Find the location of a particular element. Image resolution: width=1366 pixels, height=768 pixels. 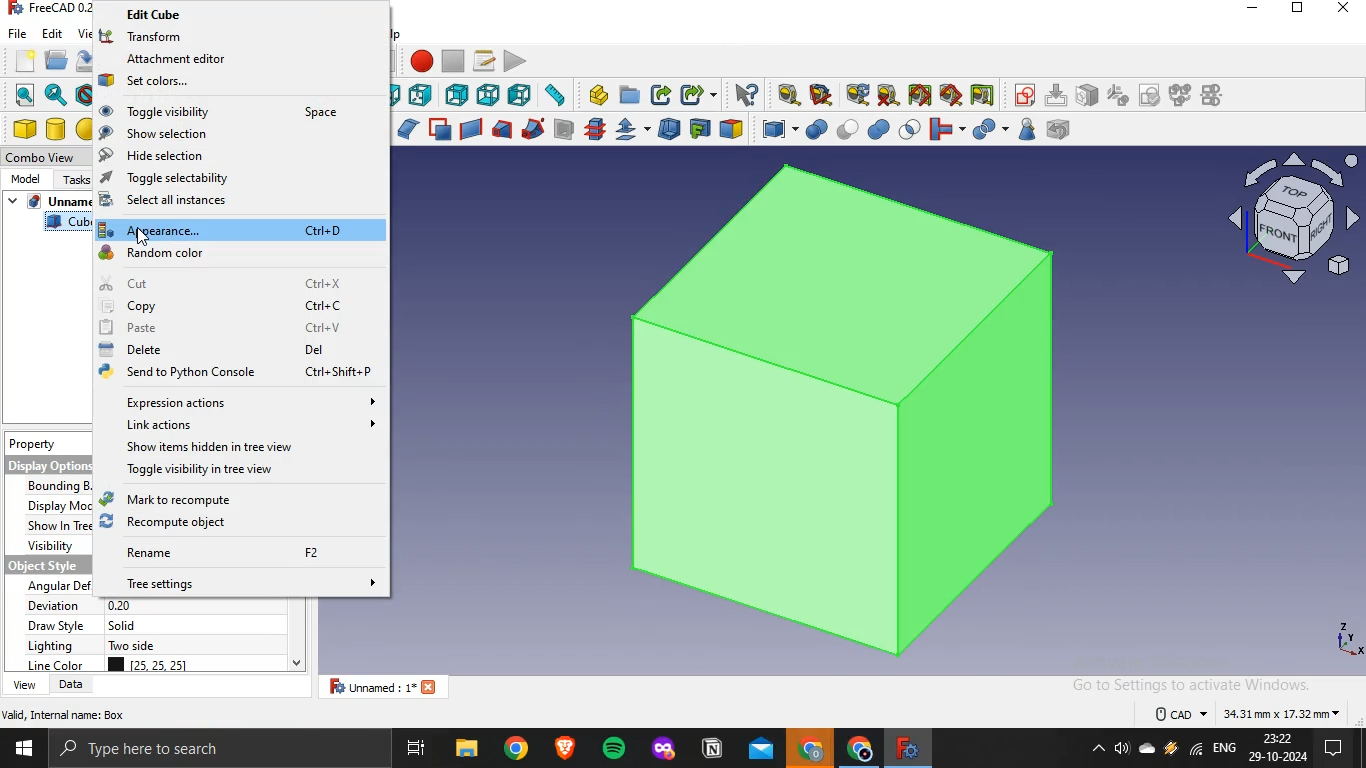

create folder is located at coordinates (631, 94).